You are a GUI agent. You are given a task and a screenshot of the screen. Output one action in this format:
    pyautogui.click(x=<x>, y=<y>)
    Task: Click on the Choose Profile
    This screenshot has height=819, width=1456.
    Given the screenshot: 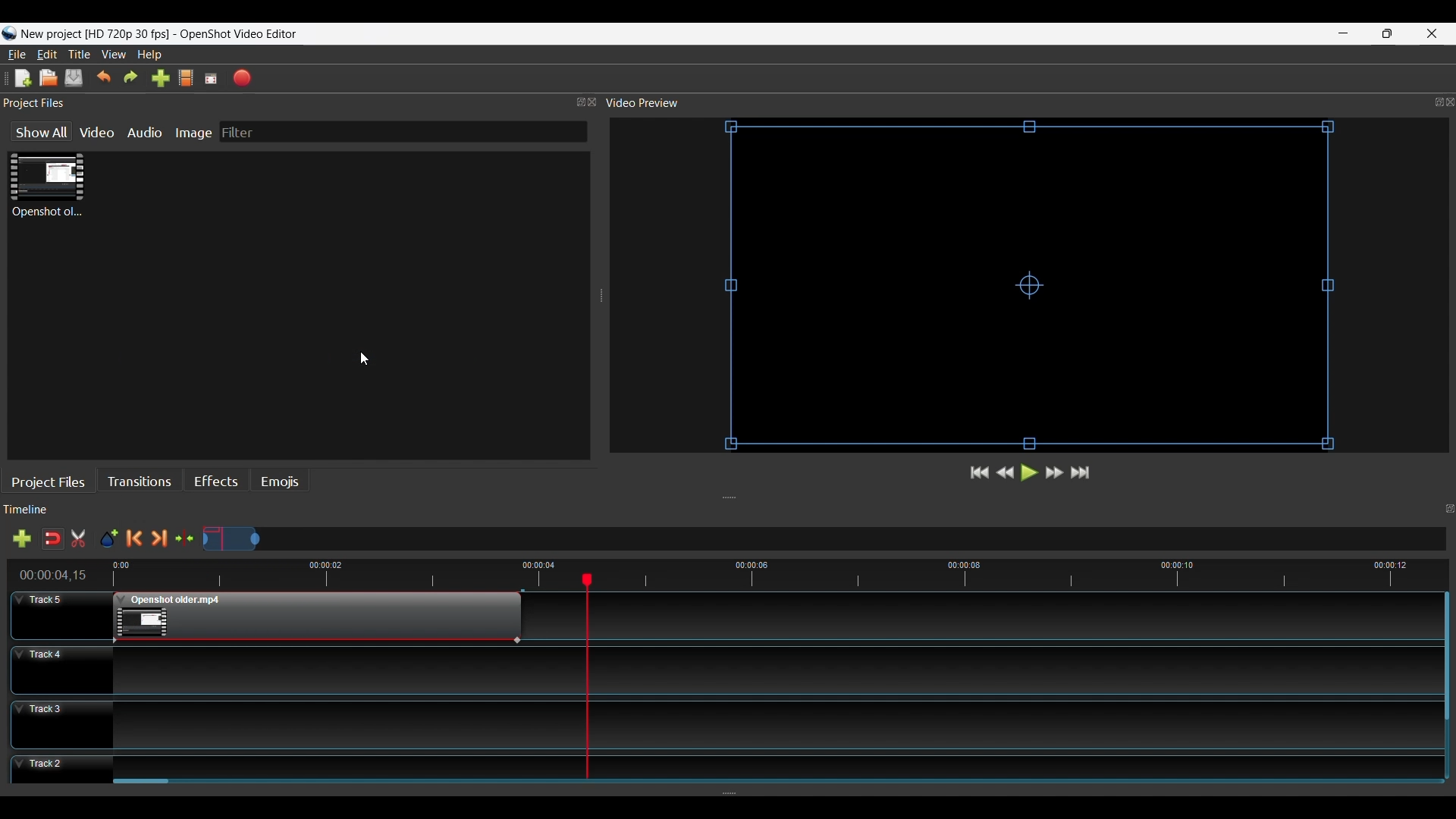 What is the action you would take?
    pyautogui.click(x=185, y=79)
    